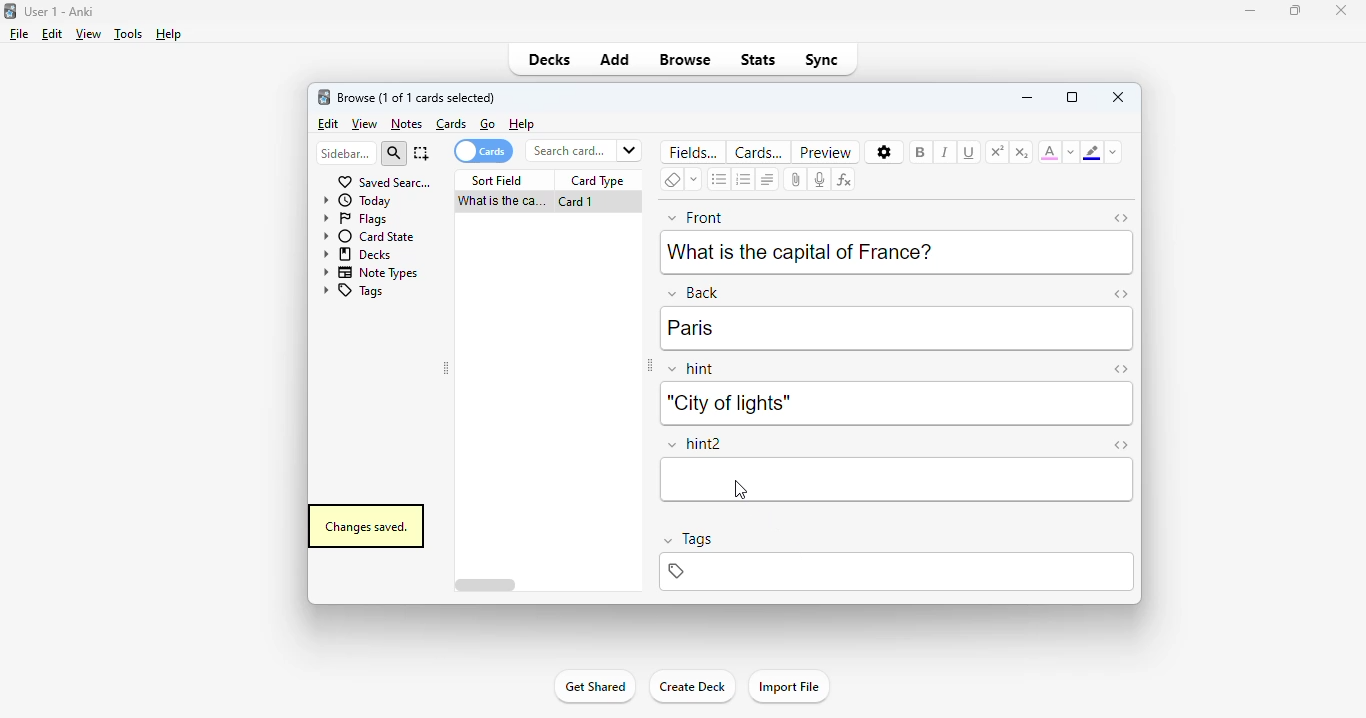 Image resolution: width=1366 pixels, height=718 pixels. I want to click on close, so click(1119, 96).